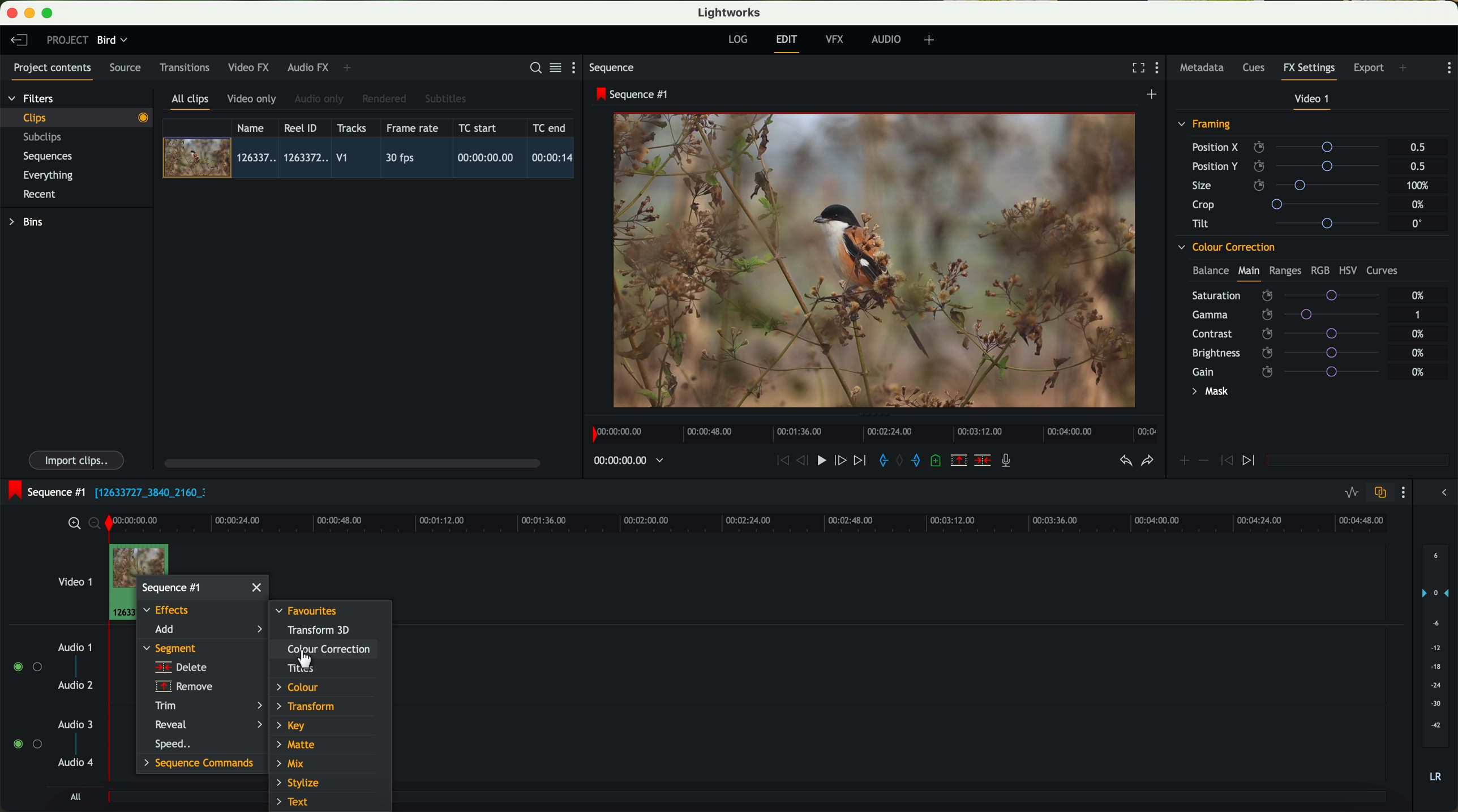 This screenshot has width=1458, height=812. What do you see at coordinates (1291, 223) in the screenshot?
I see `tilt` at bounding box center [1291, 223].